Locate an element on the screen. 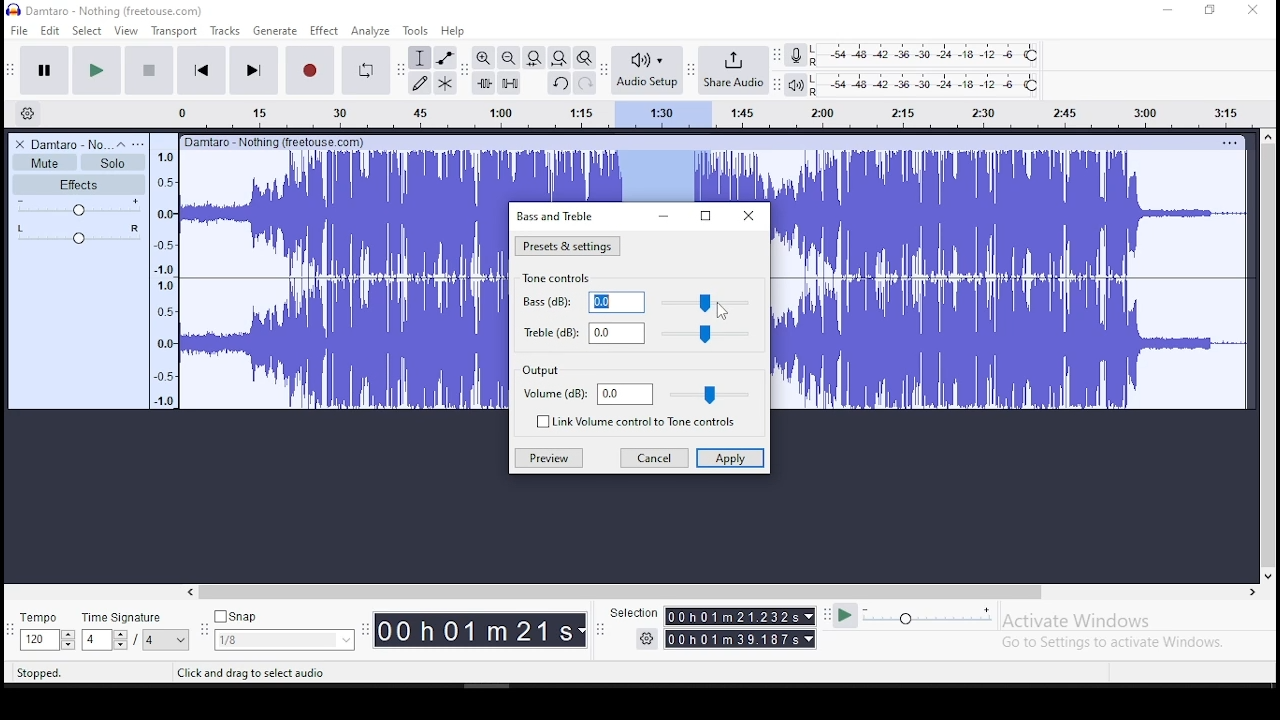 Image resolution: width=1280 pixels, height=720 pixels. close is located at coordinates (750, 216).